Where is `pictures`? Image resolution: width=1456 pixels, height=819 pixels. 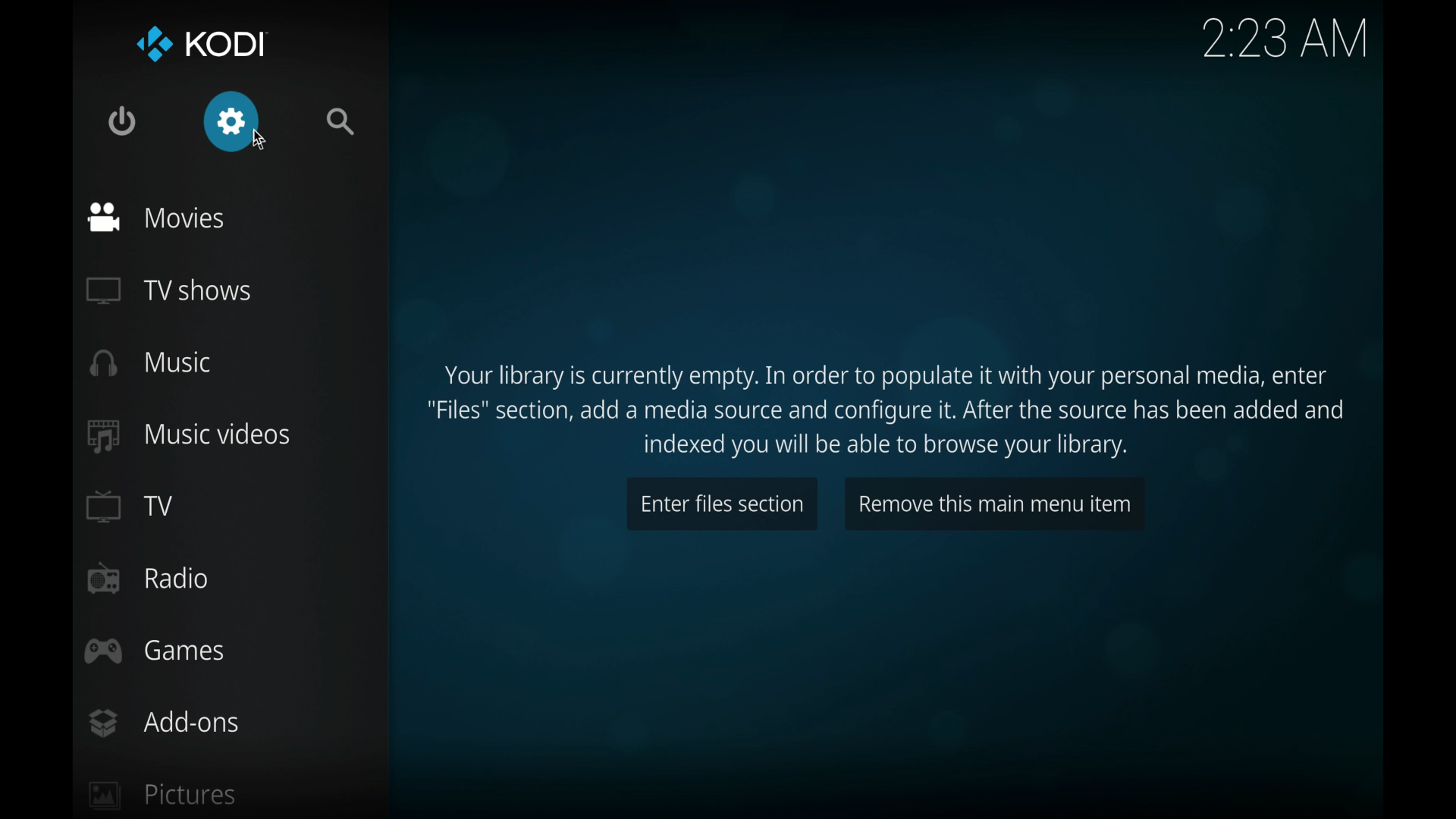 pictures is located at coordinates (162, 795).